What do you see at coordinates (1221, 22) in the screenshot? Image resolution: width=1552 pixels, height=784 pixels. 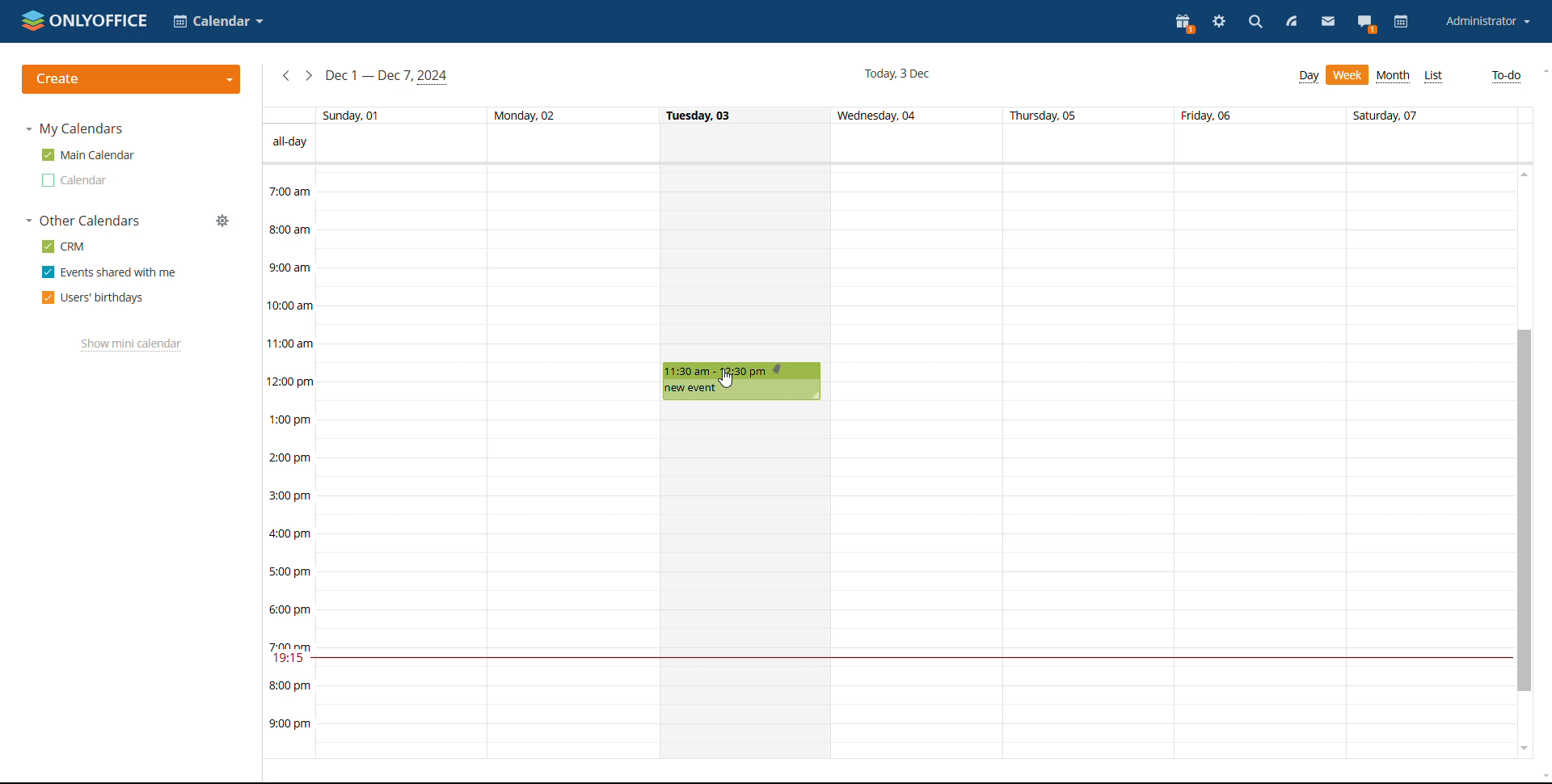 I see `settings` at bounding box center [1221, 22].